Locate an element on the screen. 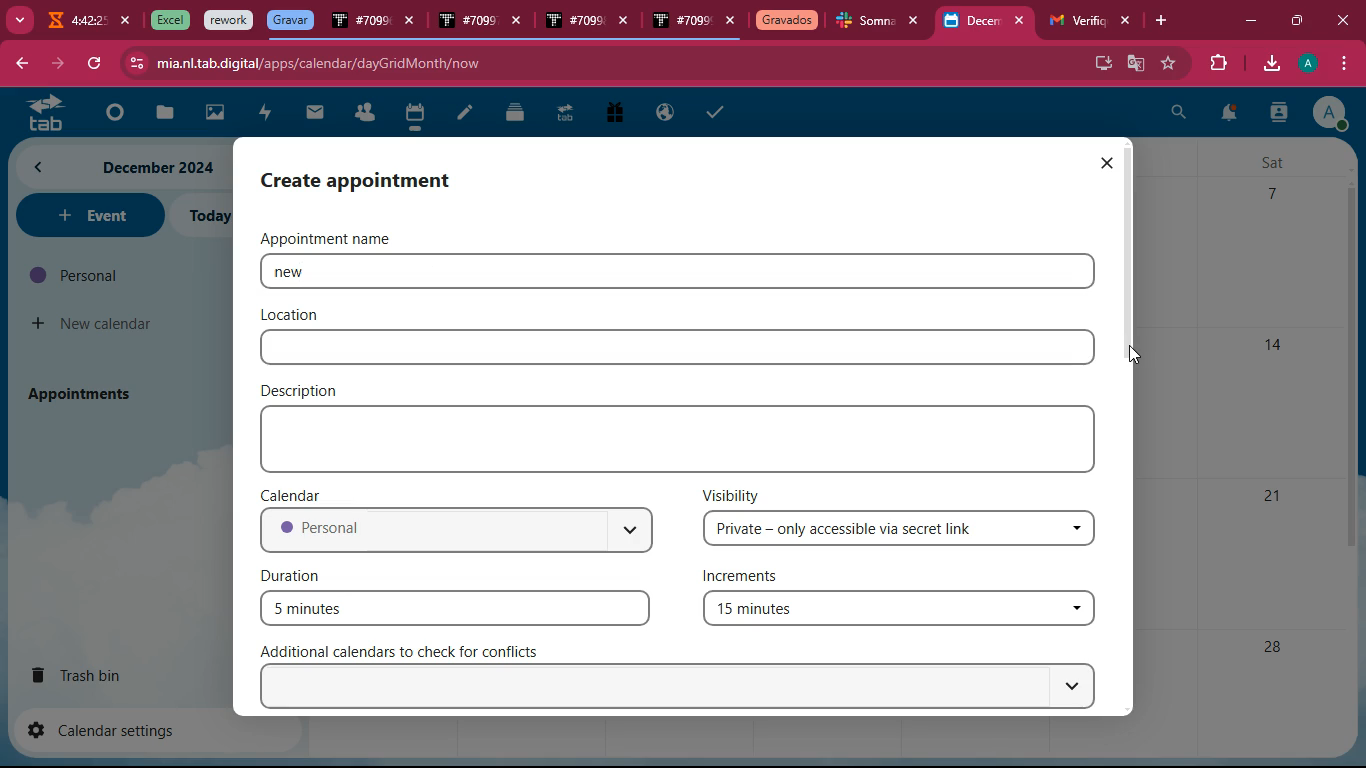  calendar settings is located at coordinates (110, 729).